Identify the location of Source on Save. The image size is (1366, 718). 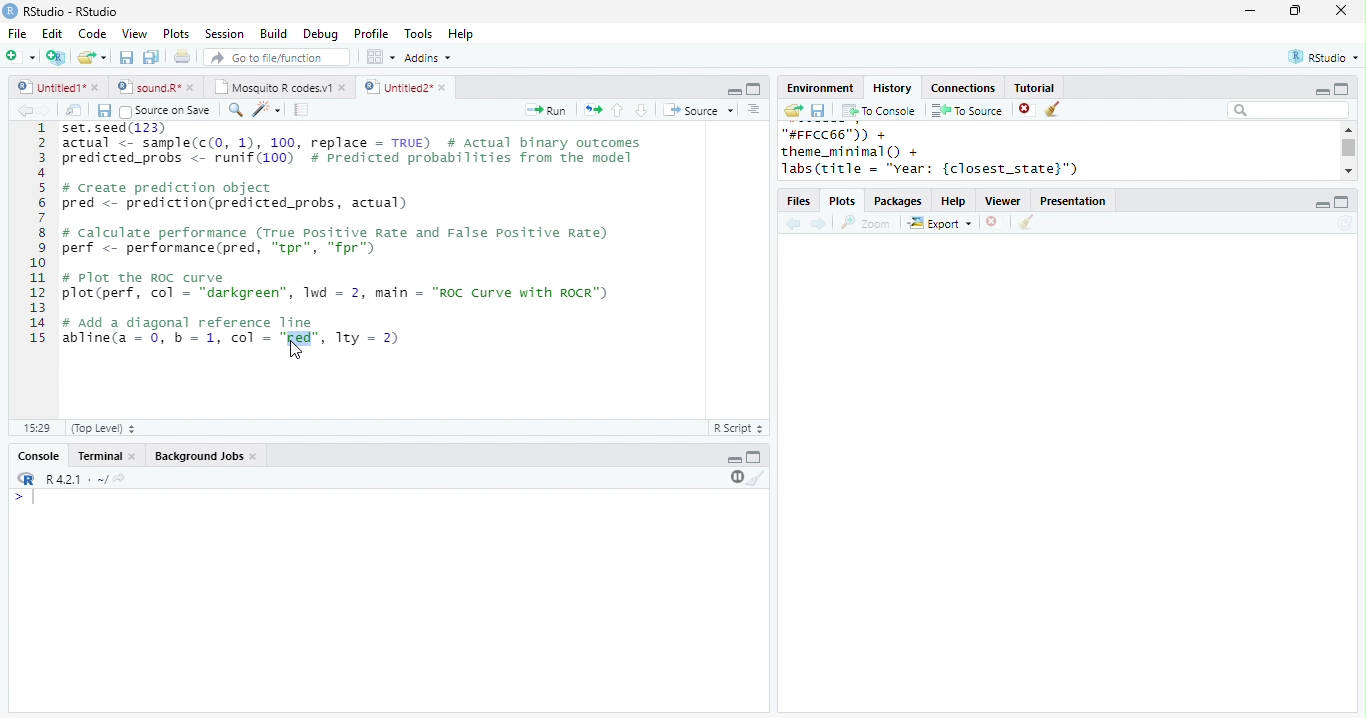
(163, 111).